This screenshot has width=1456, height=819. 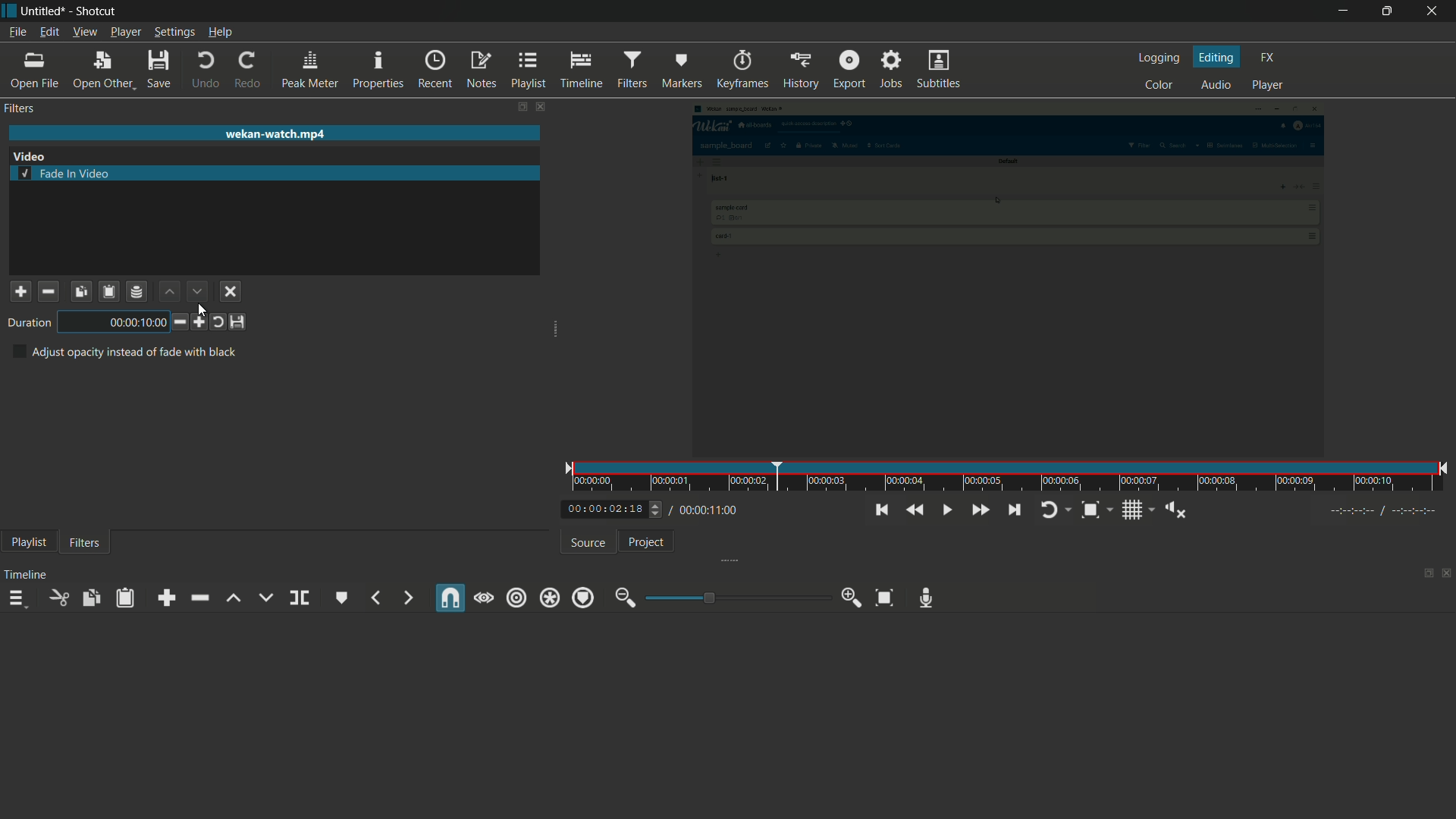 What do you see at coordinates (1134, 511) in the screenshot?
I see `toggle grid` at bounding box center [1134, 511].